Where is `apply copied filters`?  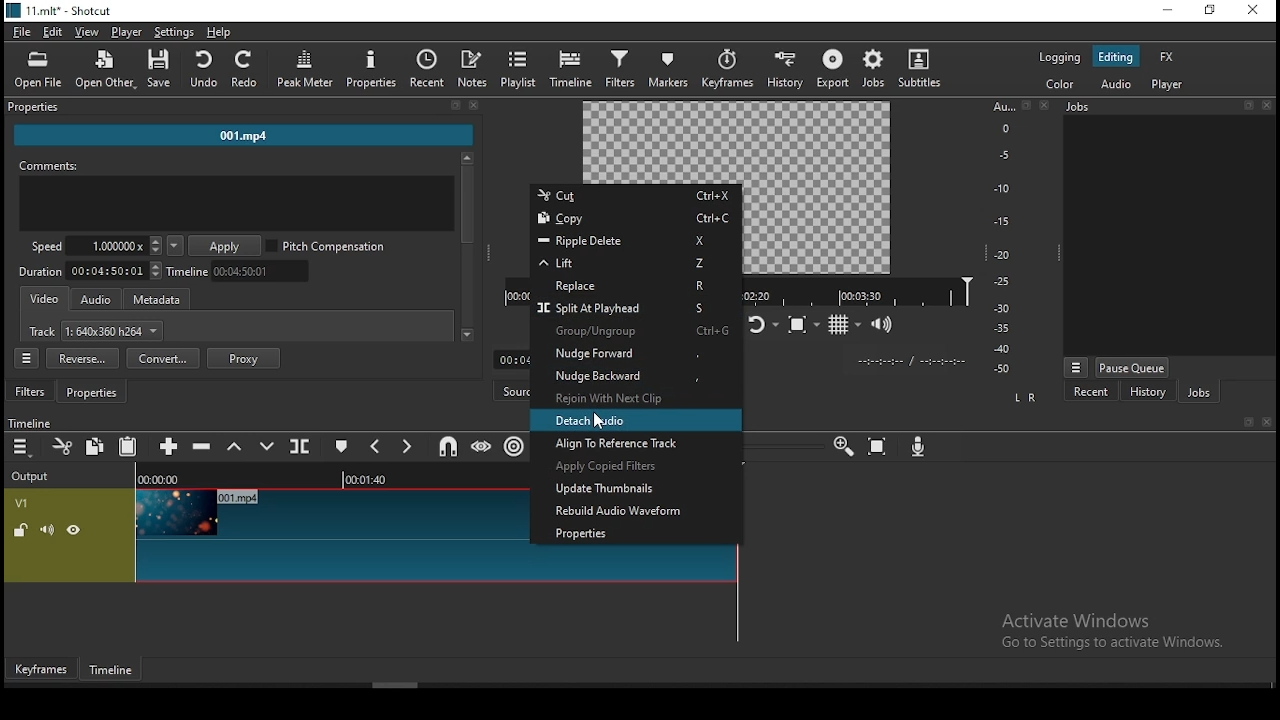 apply copied filters is located at coordinates (633, 467).